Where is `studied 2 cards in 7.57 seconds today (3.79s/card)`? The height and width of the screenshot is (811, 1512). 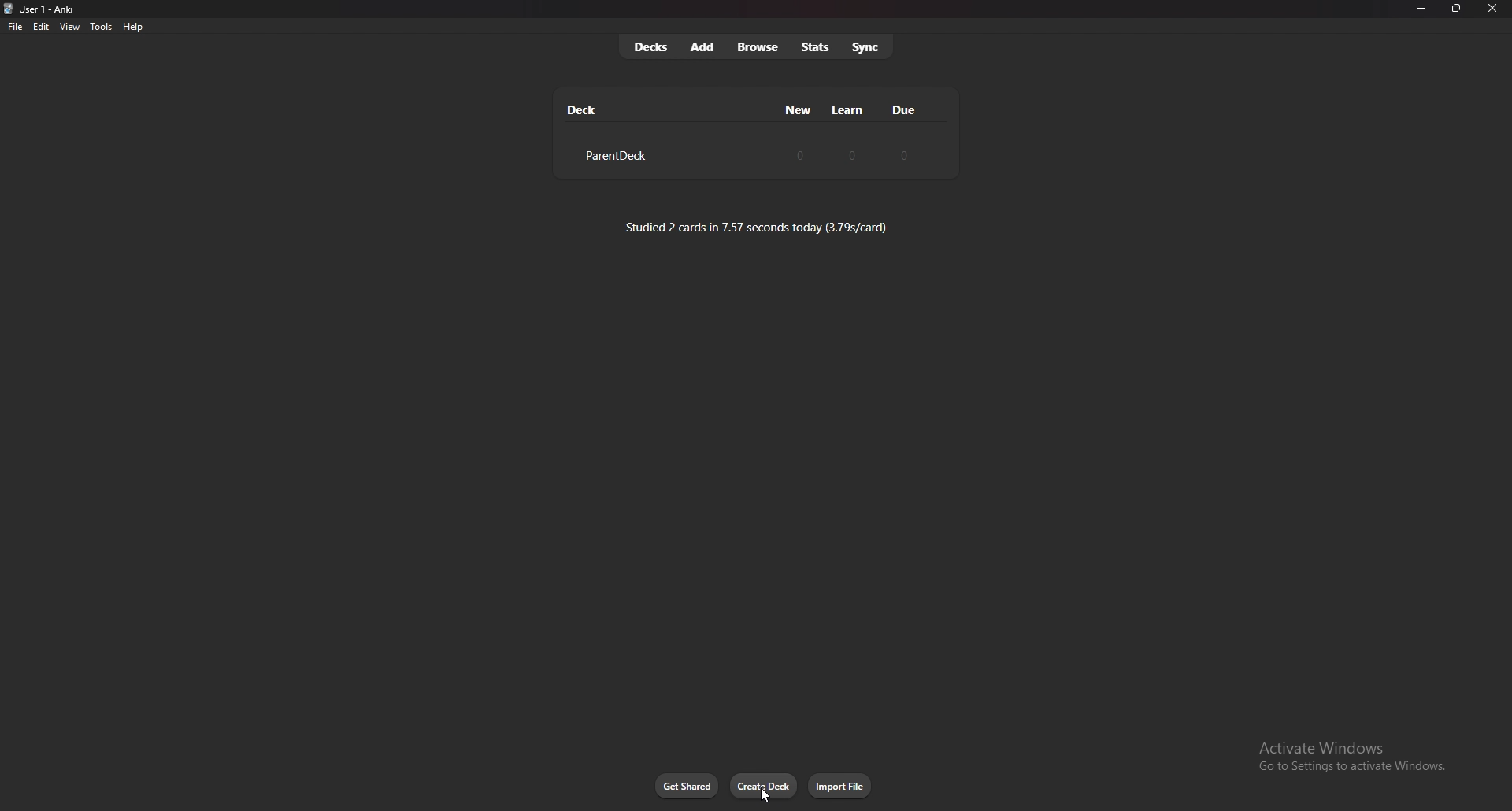
studied 2 cards in 7.57 seconds today (3.79s/card) is located at coordinates (757, 227).